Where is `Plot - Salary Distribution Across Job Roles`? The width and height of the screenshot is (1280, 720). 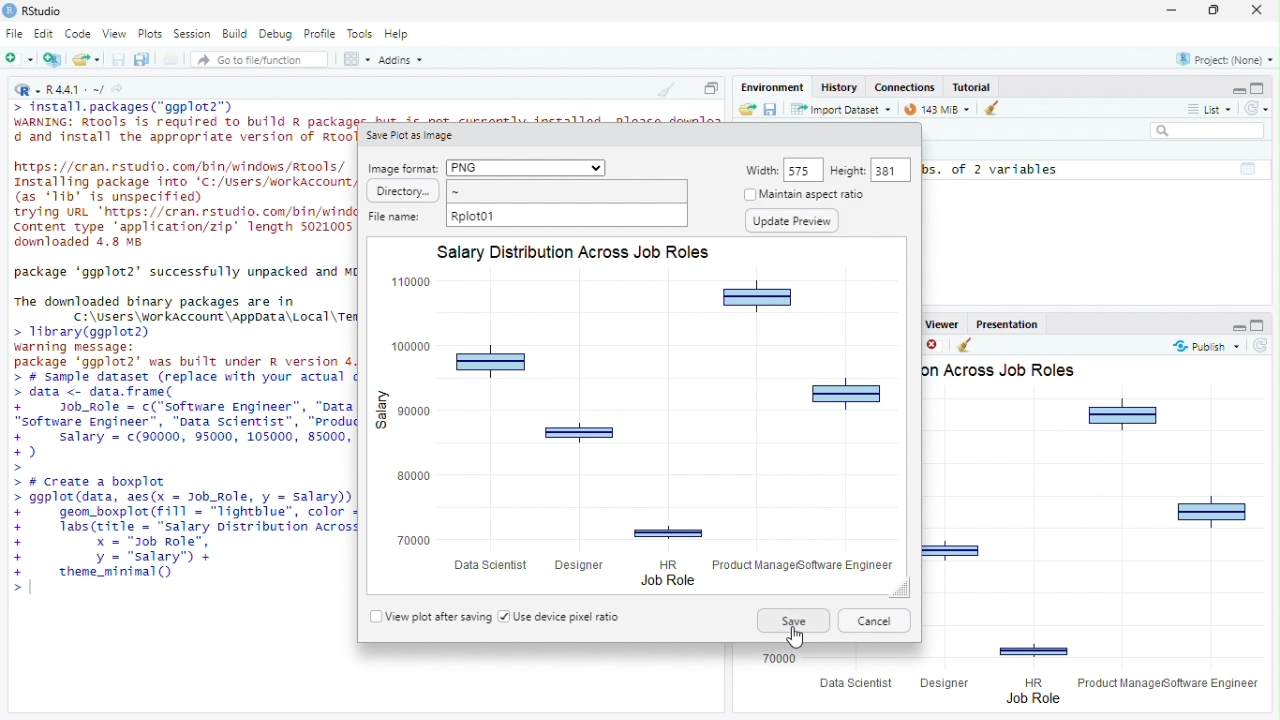
Plot - Salary Distribution Across Job Roles is located at coordinates (639, 417).